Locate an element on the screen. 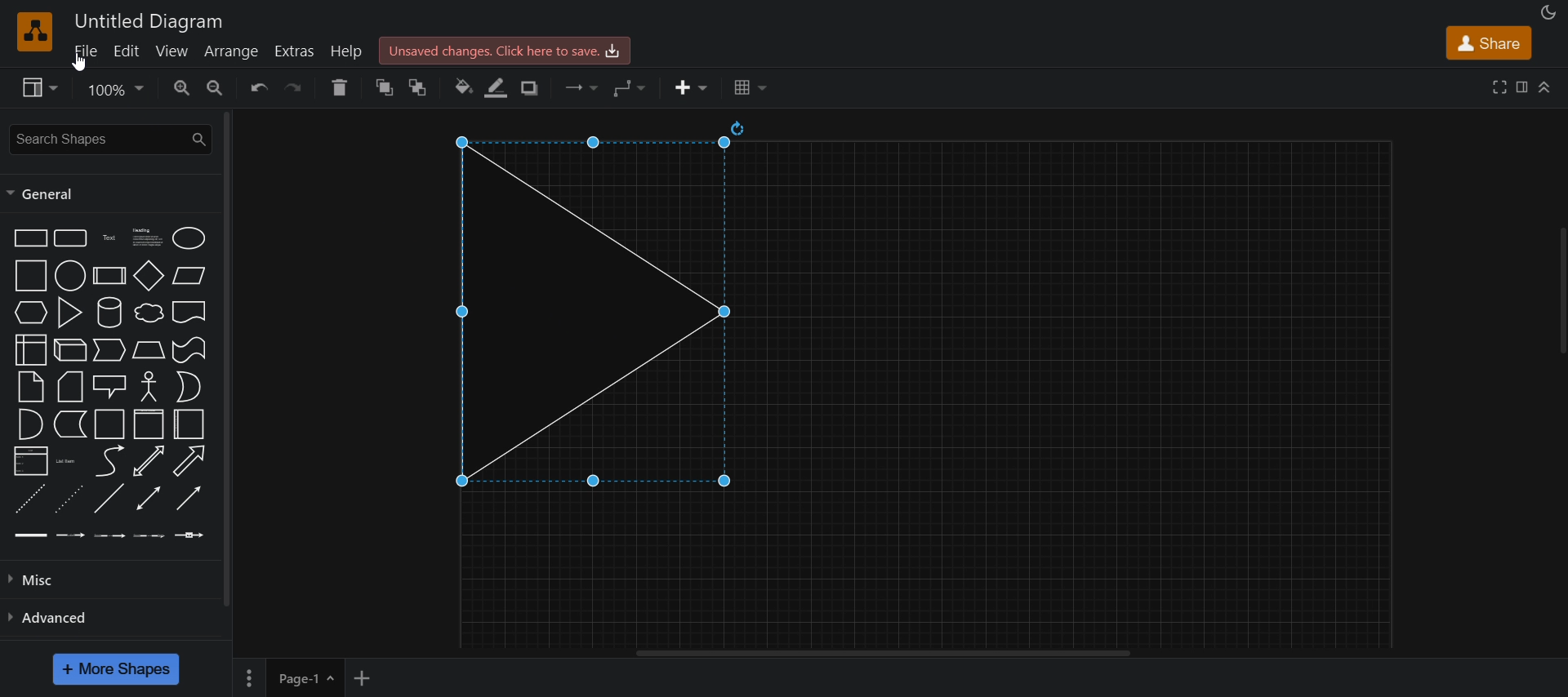 The height and width of the screenshot is (697, 1568). square is located at coordinates (32, 275).